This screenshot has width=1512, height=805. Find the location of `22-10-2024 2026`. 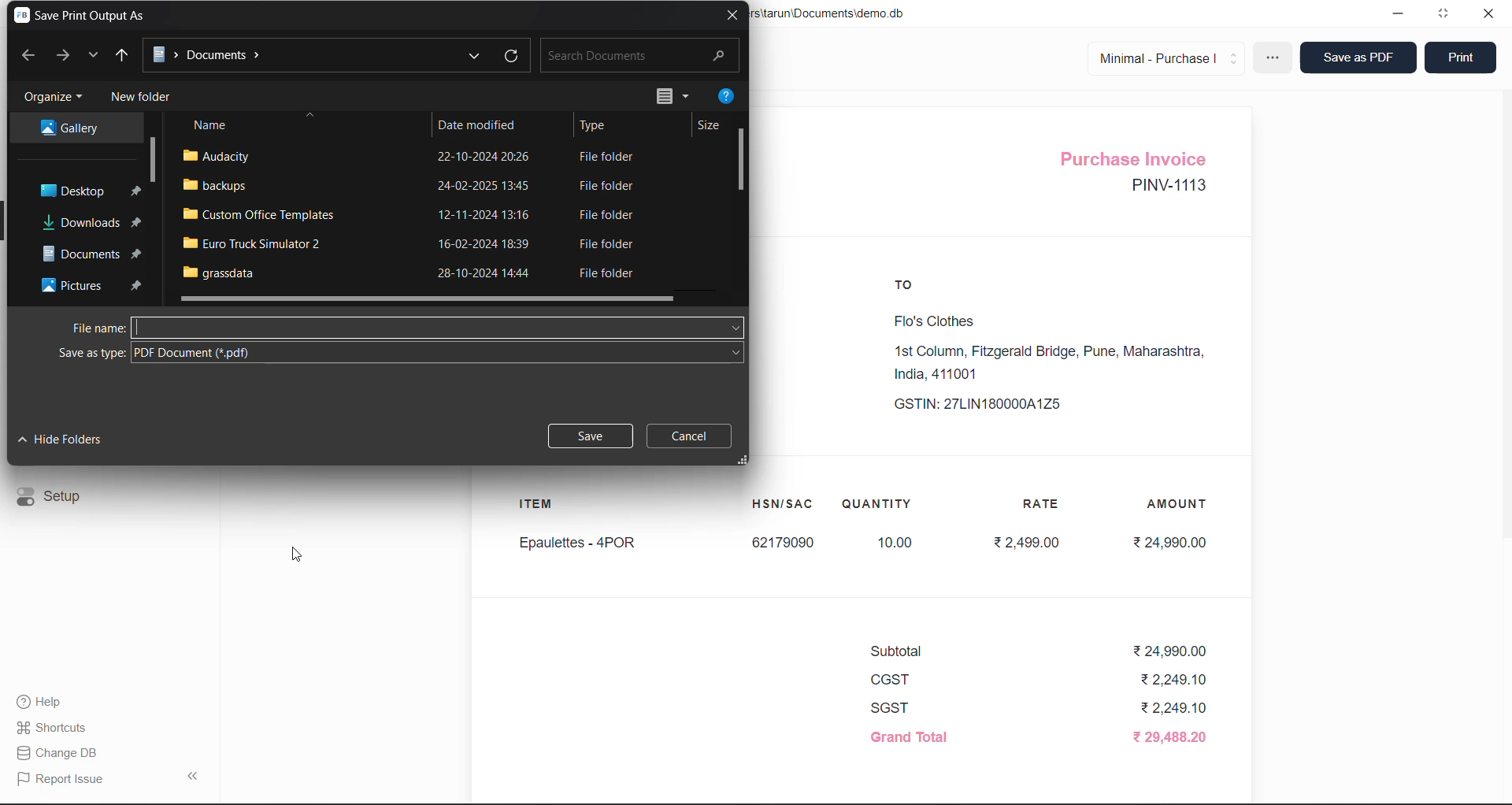

22-10-2024 2026 is located at coordinates (489, 156).